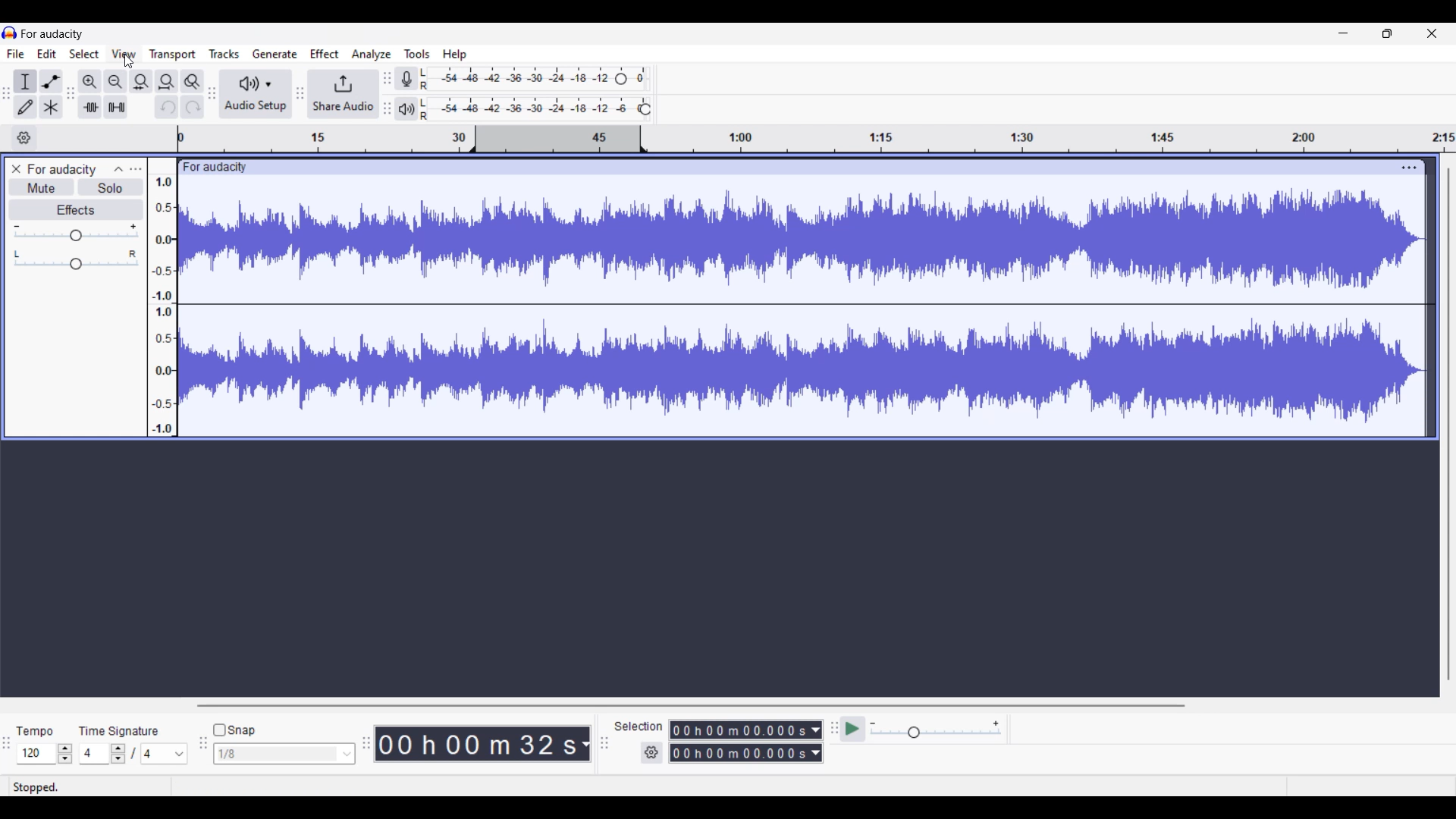 This screenshot has width=1456, height=819. Describe the element at coordinates (120, 731) in the screenshot. I see `Indicates time signature settings` at that location.